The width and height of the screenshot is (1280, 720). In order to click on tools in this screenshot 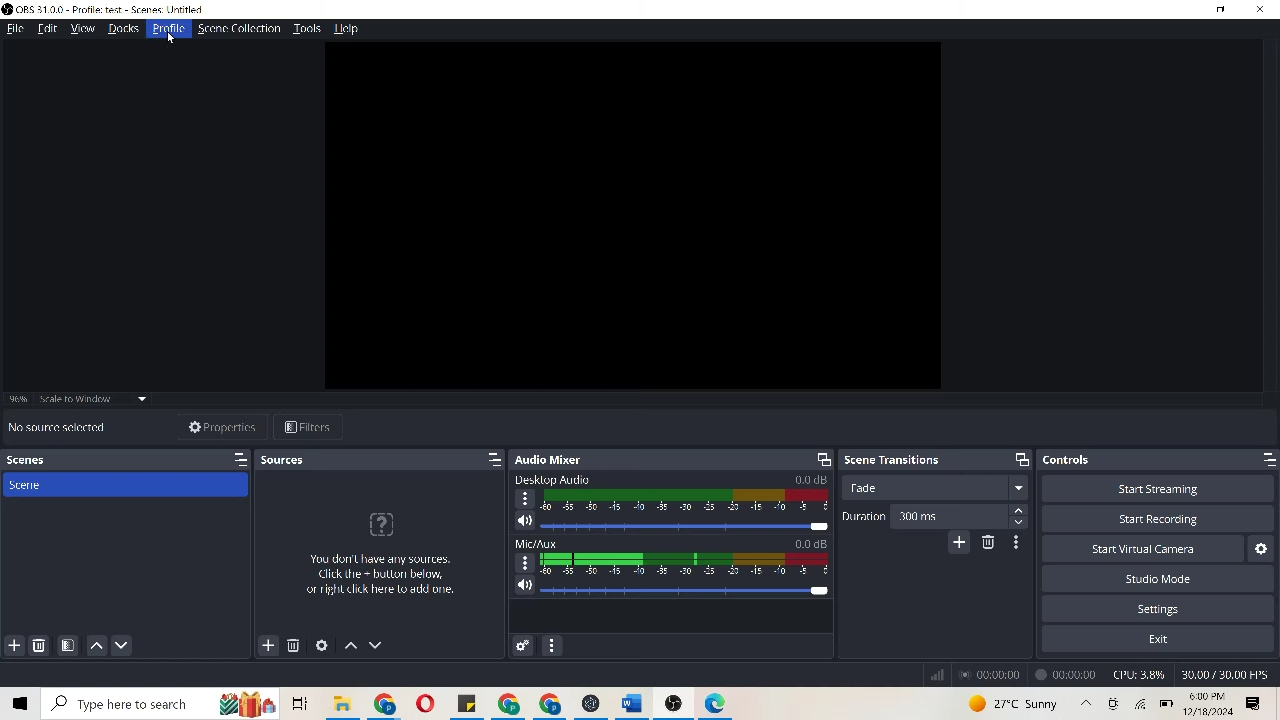, I will do `click(309, 28)`.